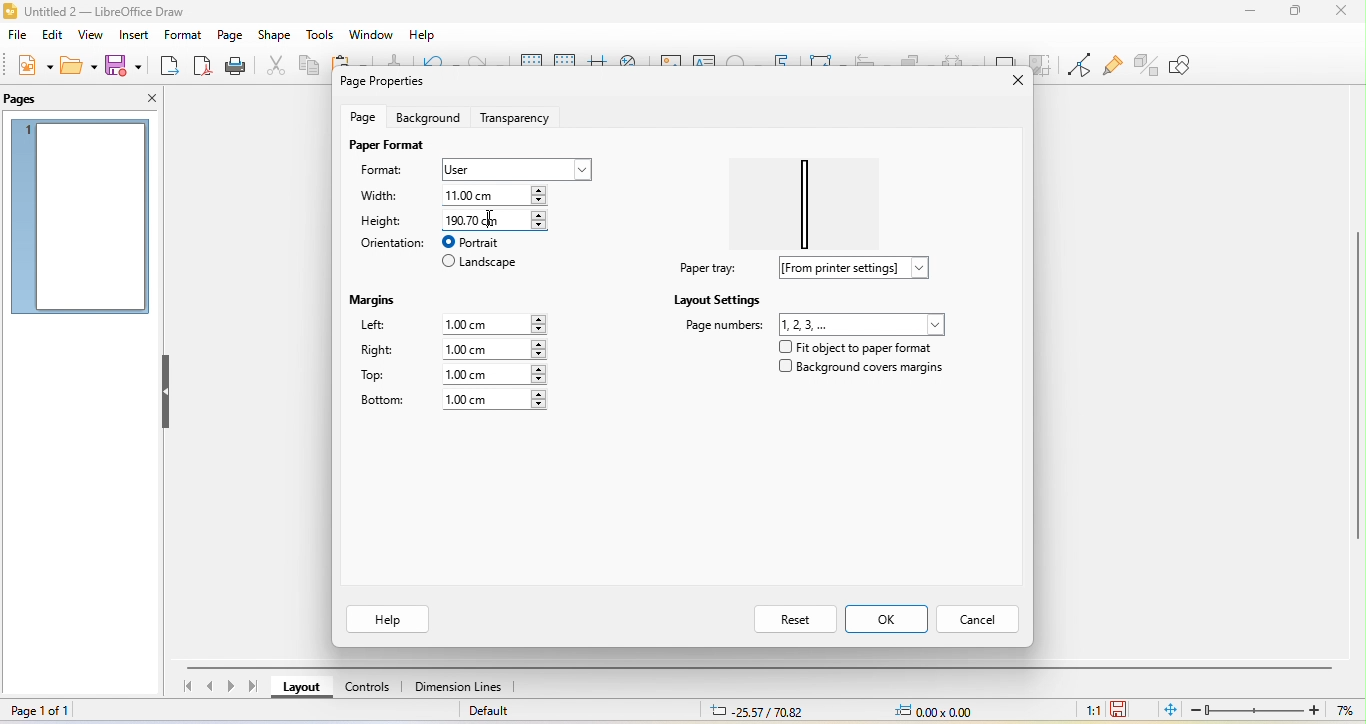 The height and width of the screenshot is (724, 1366). What do you see at coordinates (816, 323) in the screenshot?
I see `page number` at bounding box center [816, 323].